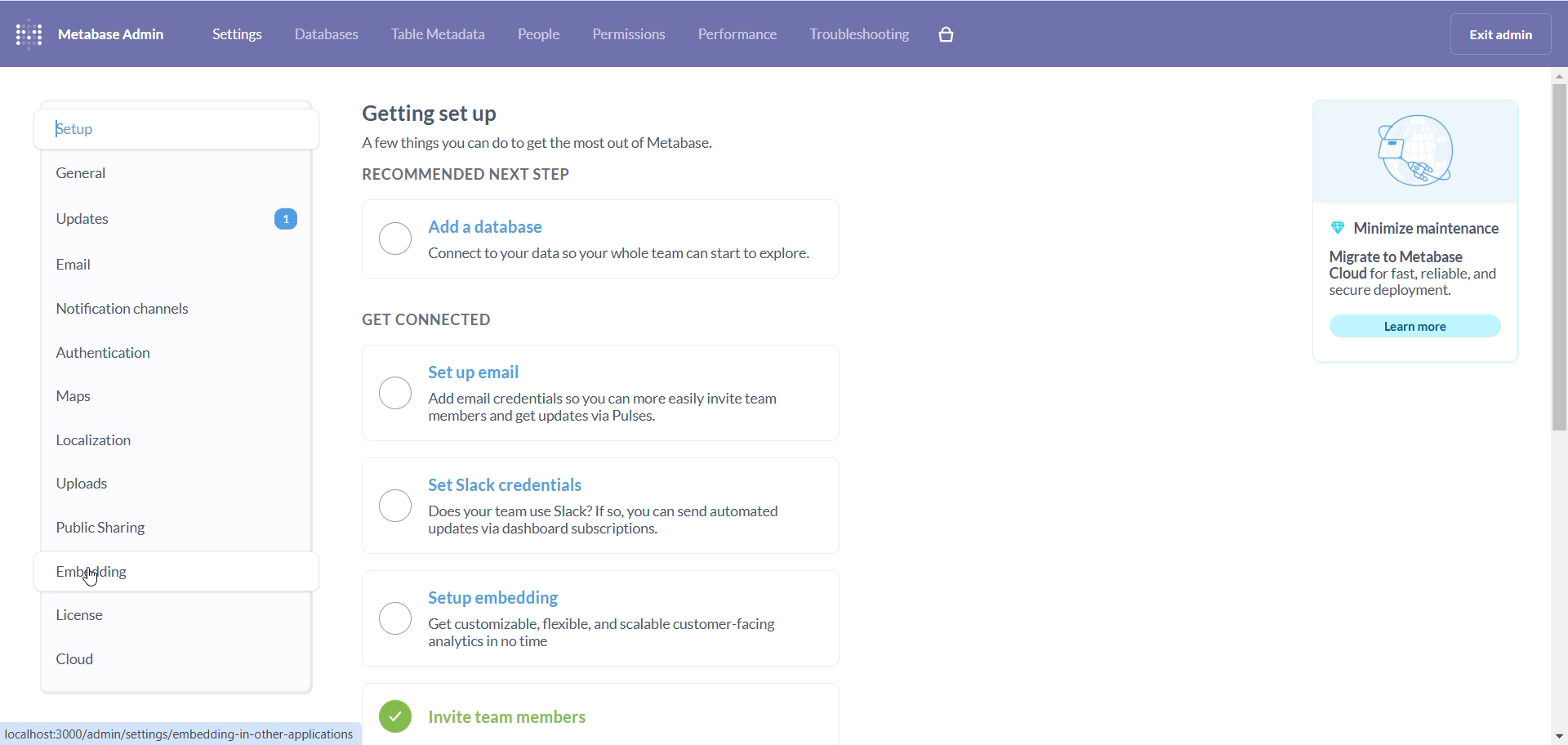 The height and width of the screenshot is (745, 1568). Describe the element at coordinates (168, 177) in the screenshot. I see `general` at that location.